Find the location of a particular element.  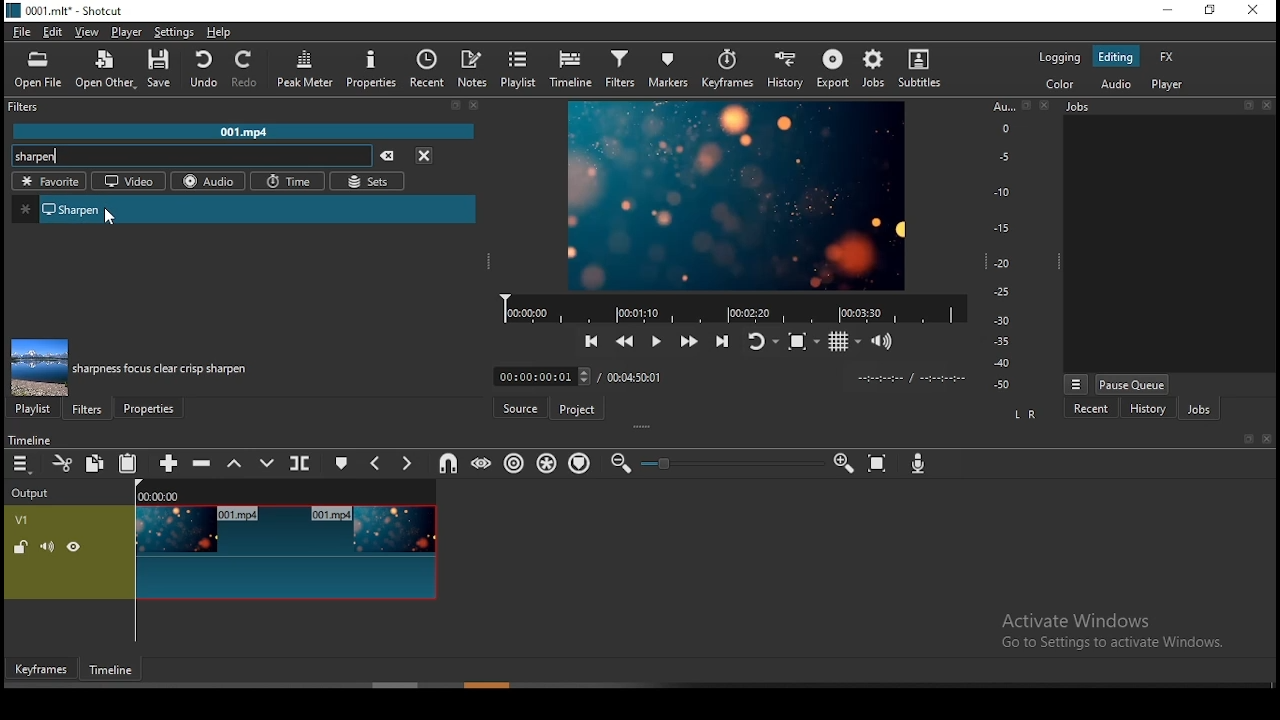

zoom in or zoom out slider is located at coordinates (731, 462).